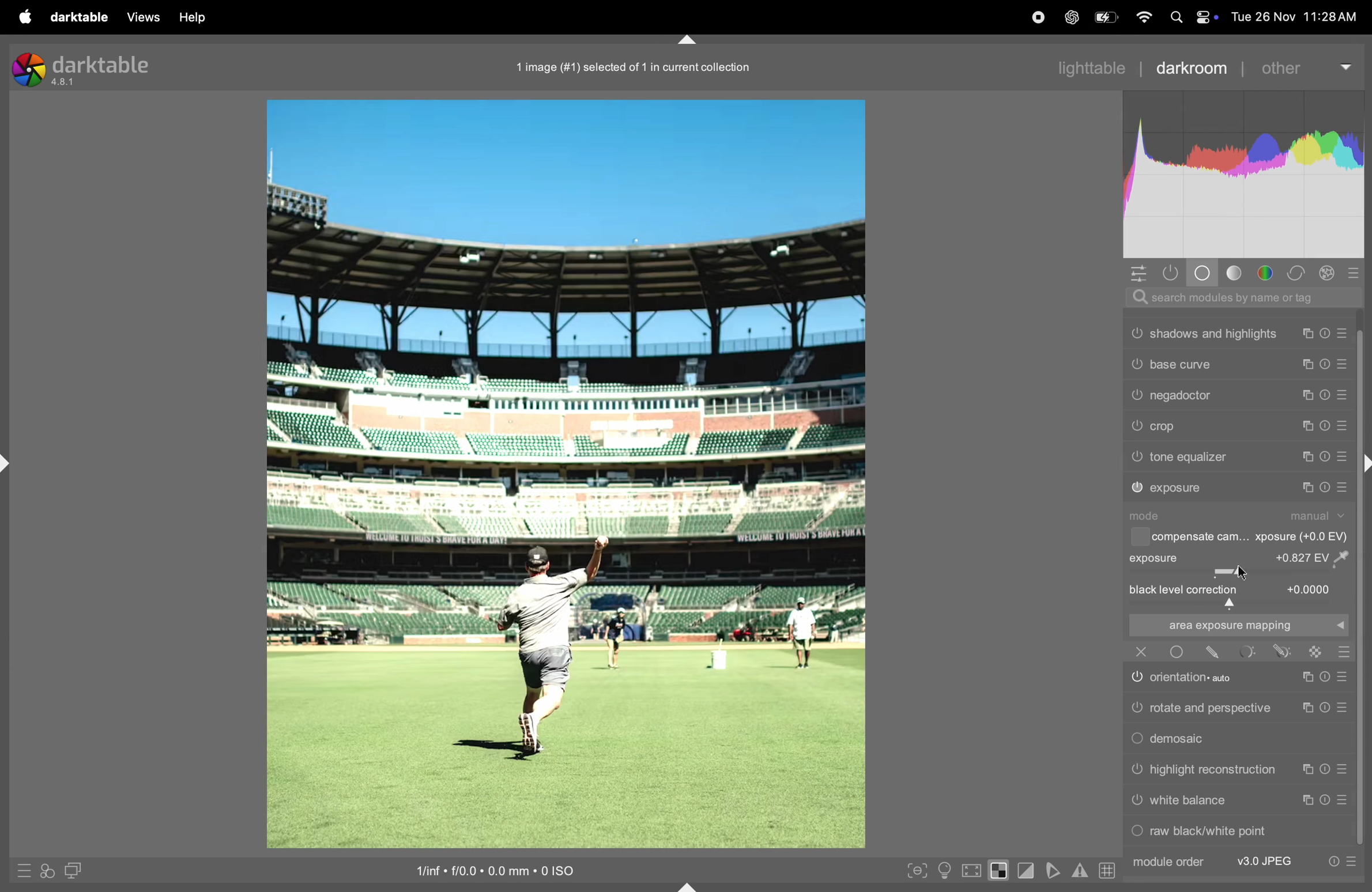  I want to click on nega doctor, so click(1183, 398).